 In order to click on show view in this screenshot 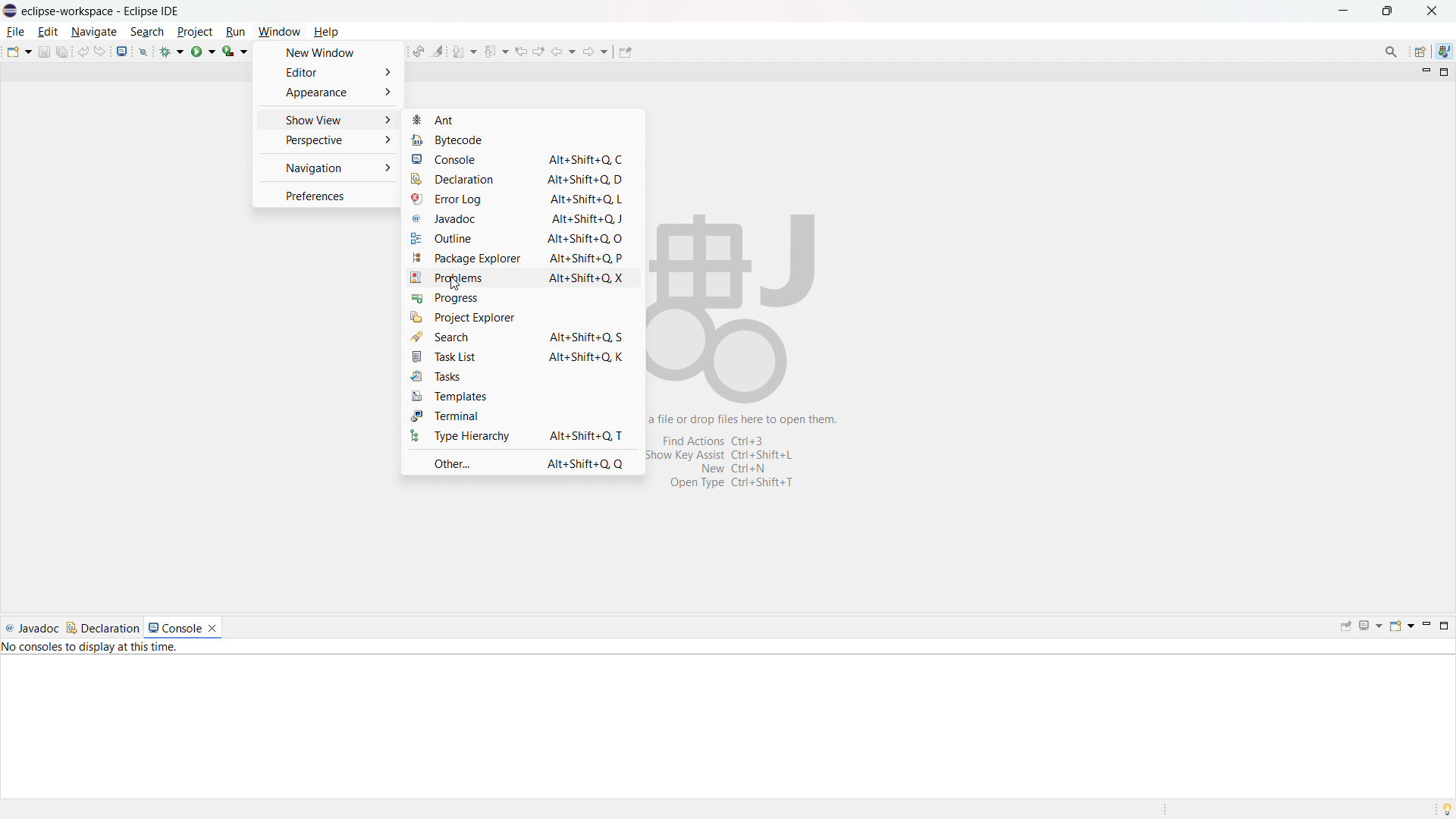, I will do `click(328, 118)`.